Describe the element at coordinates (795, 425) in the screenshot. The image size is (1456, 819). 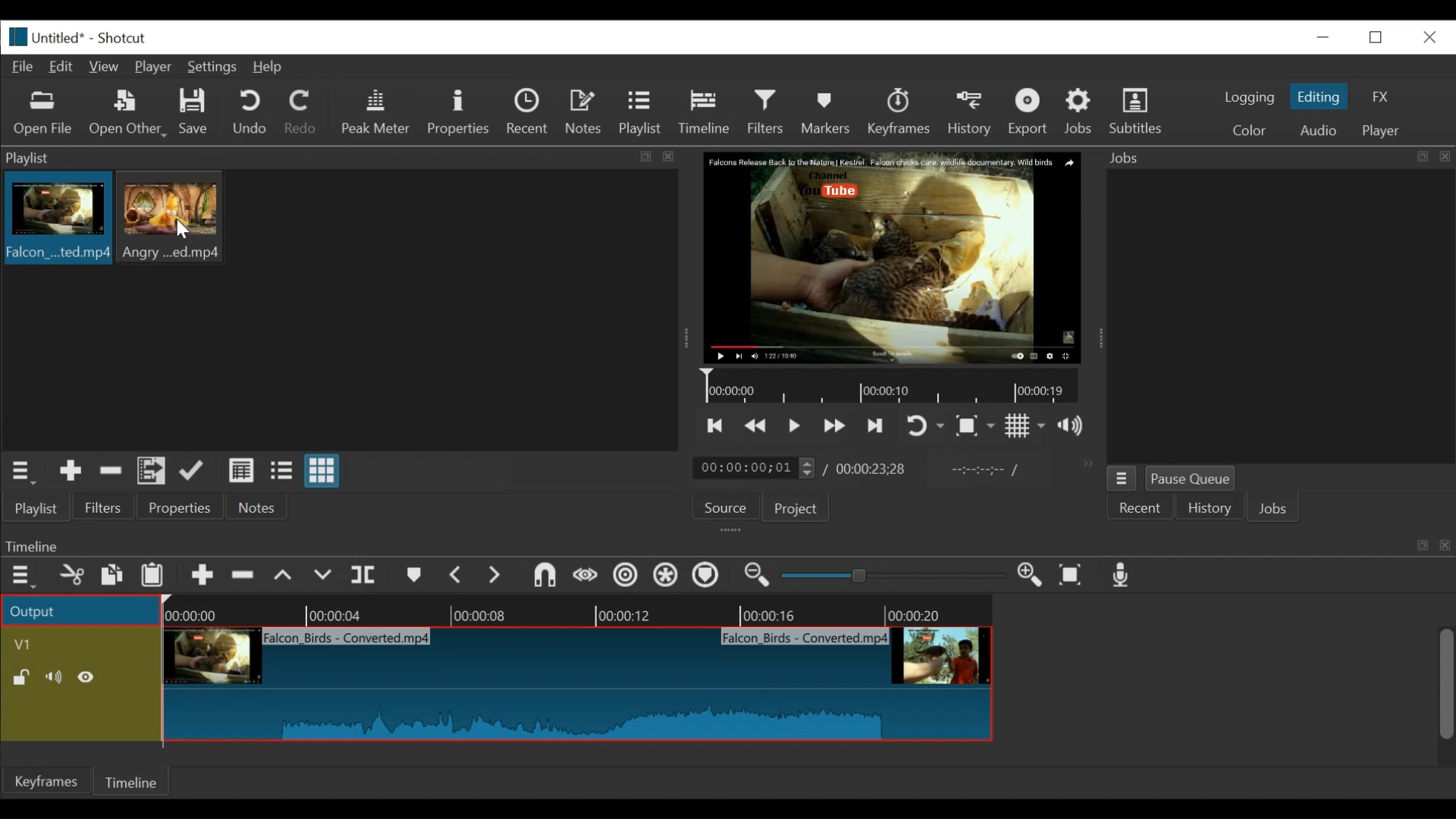
I see `Toggle play or pause` at that location.